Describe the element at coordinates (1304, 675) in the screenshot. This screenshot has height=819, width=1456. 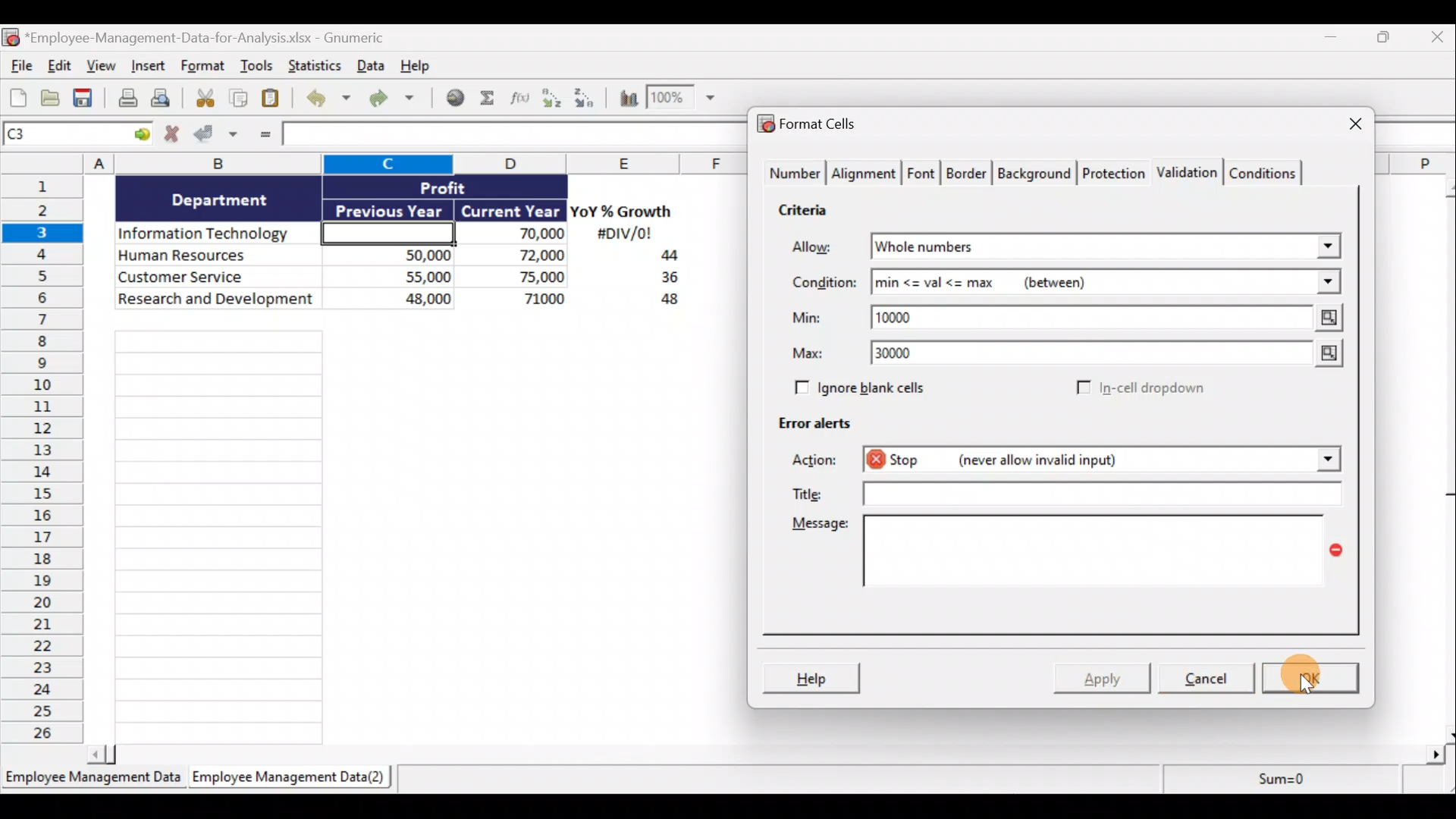
I see `Cursor` at that location.